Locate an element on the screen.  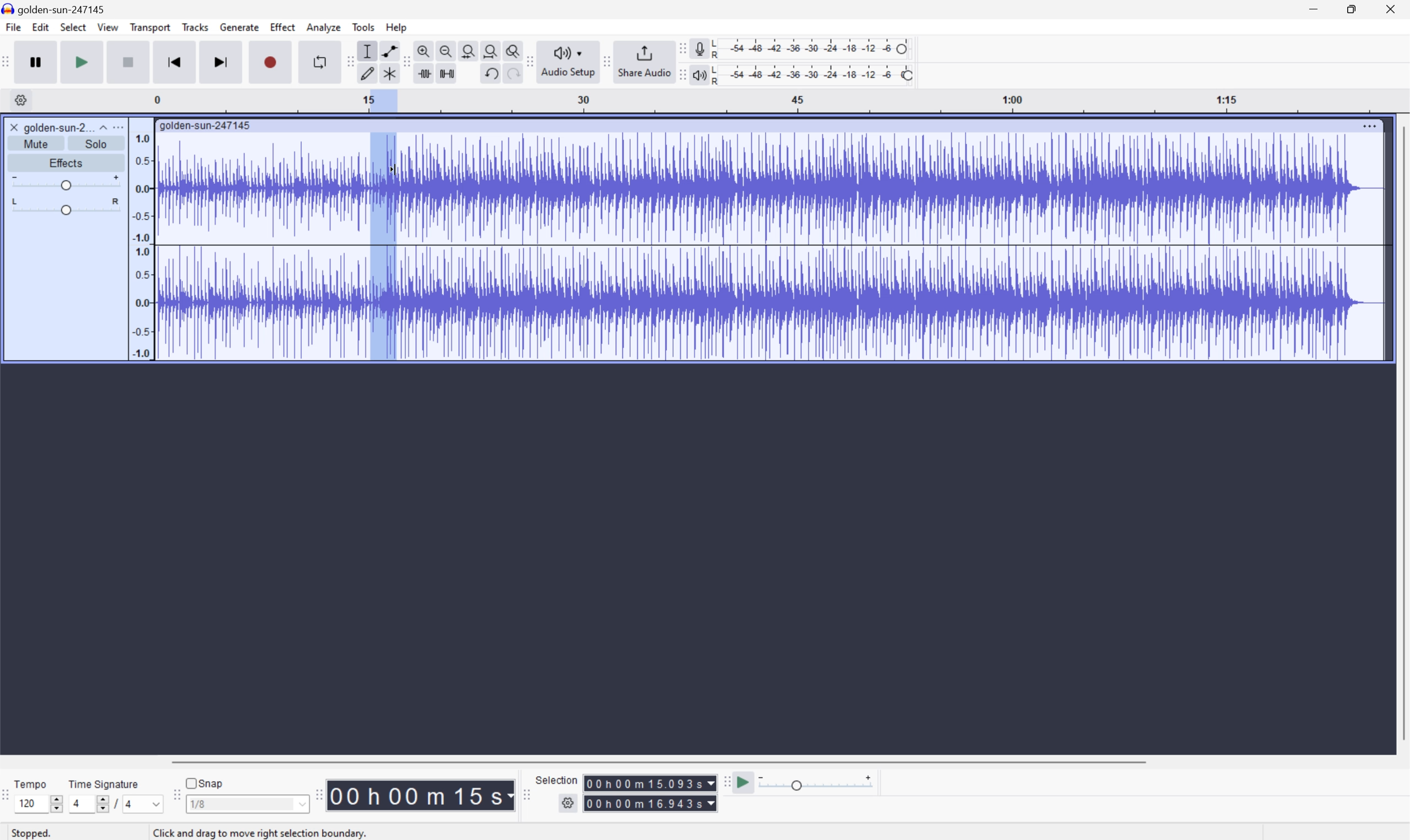
Audacity recording meter toolbar is located at coordinates (681, 48).